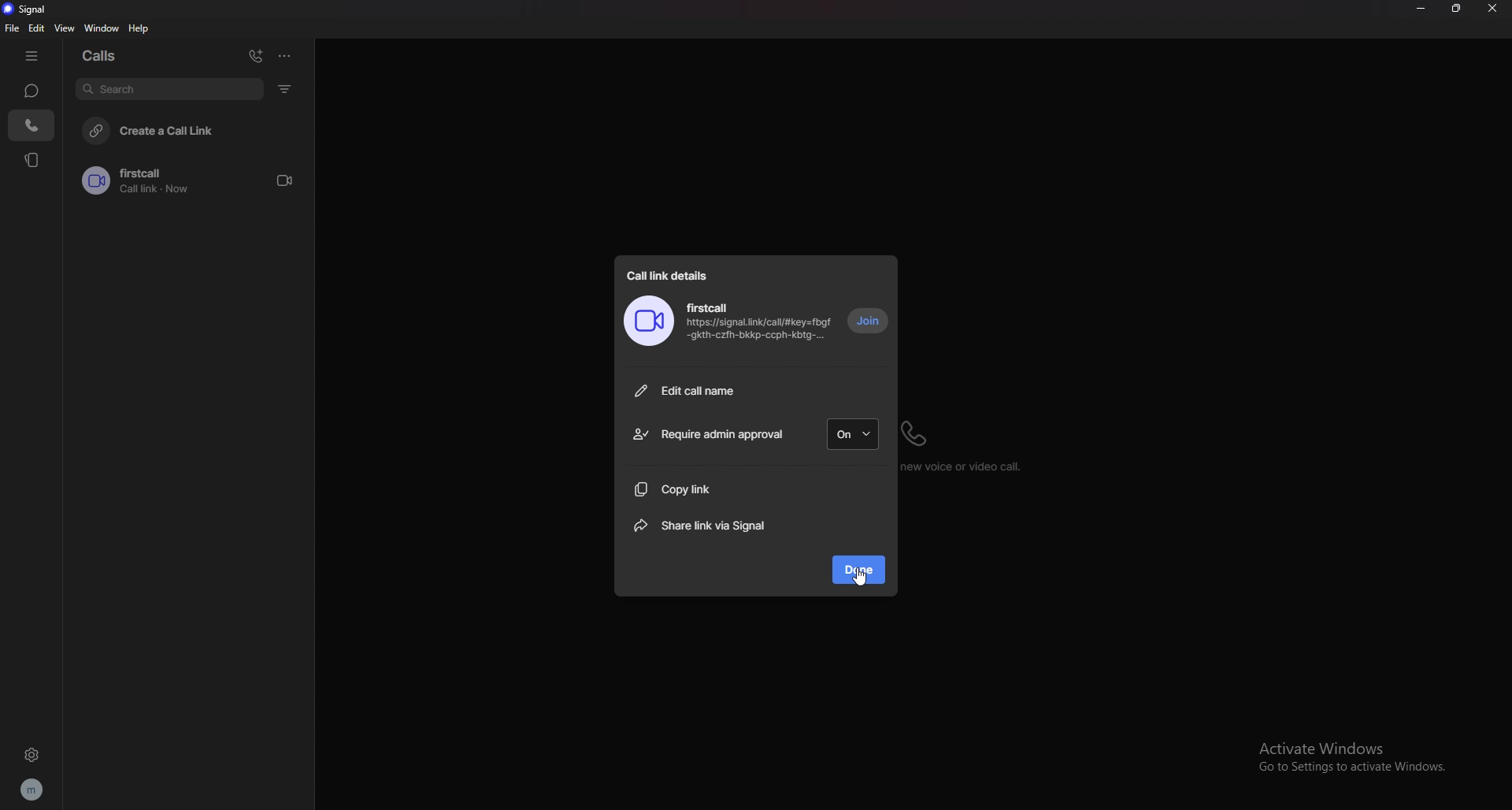 This screenshot has width=1512, height=810. What do you see at coordinates (649, 321) in the screenshot?
I see `call image` at bounding box center [649, 321].